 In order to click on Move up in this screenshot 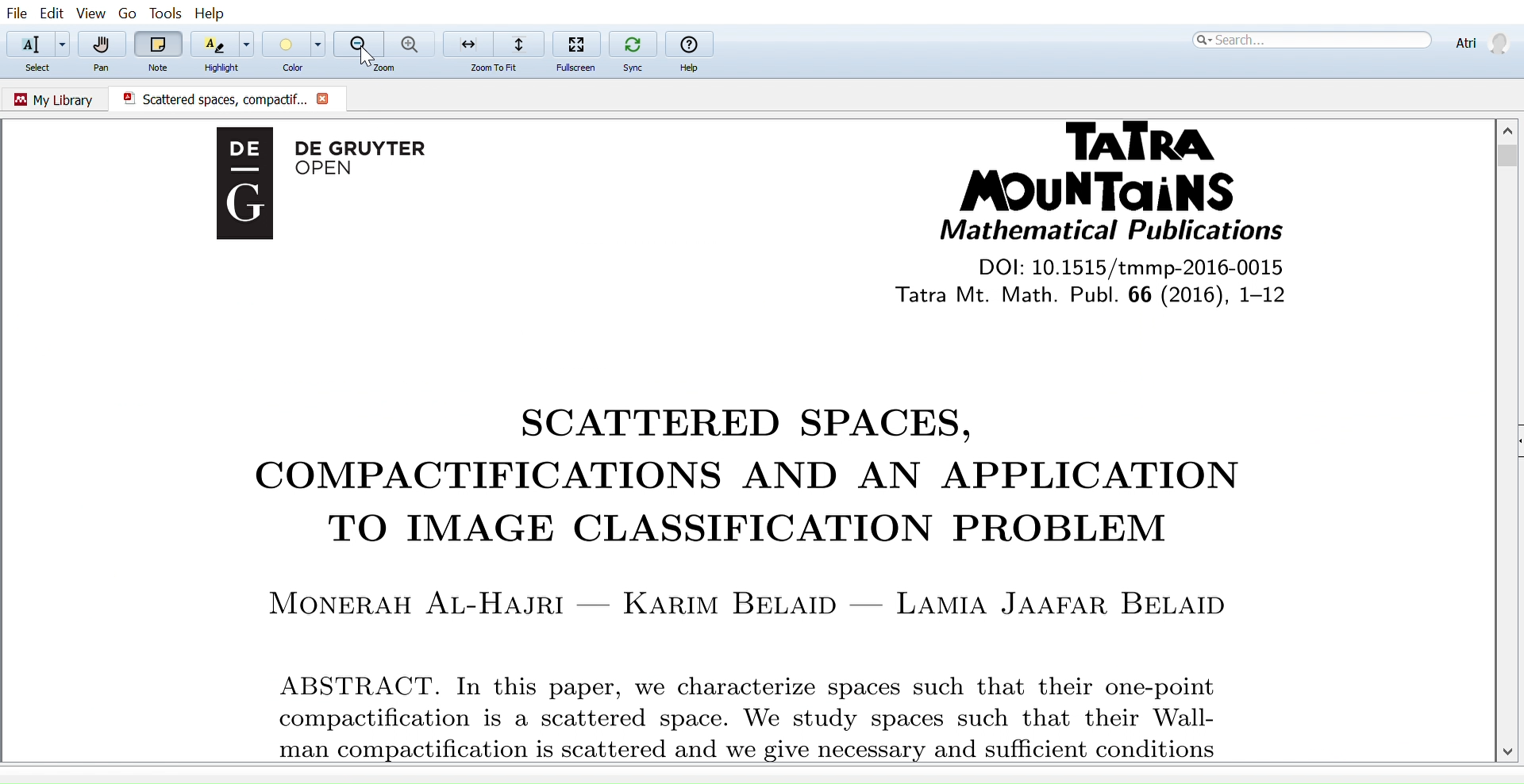, I will do `click(1510, 128)`.